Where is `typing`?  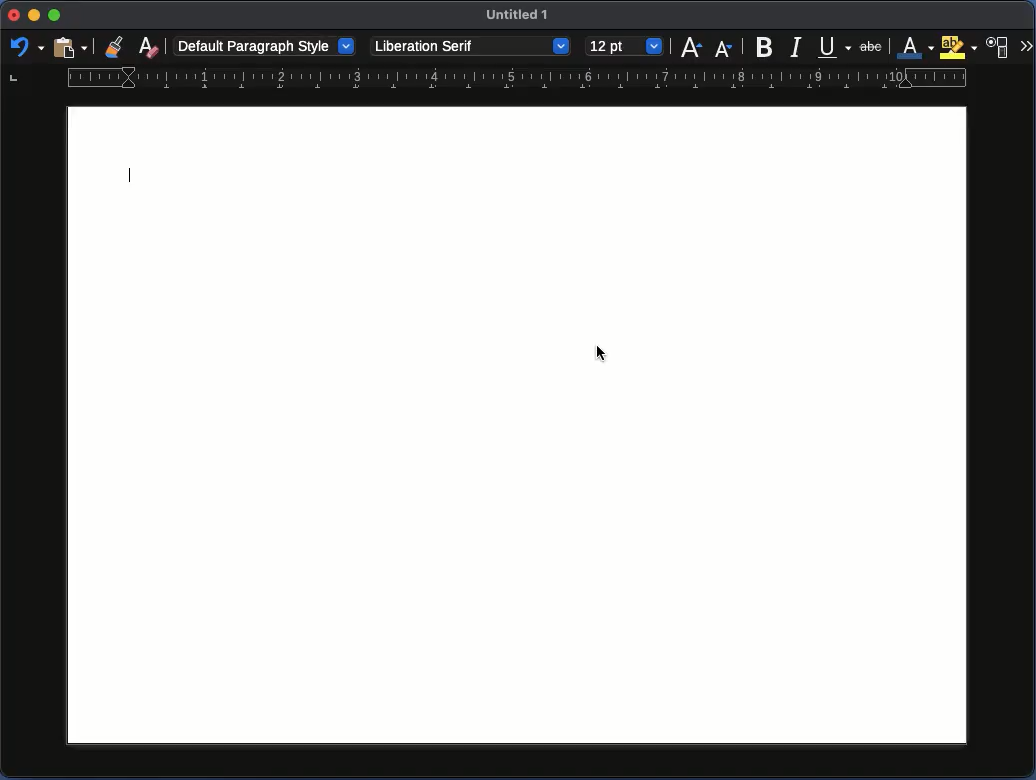
typing is located at coordinates (104, 171).